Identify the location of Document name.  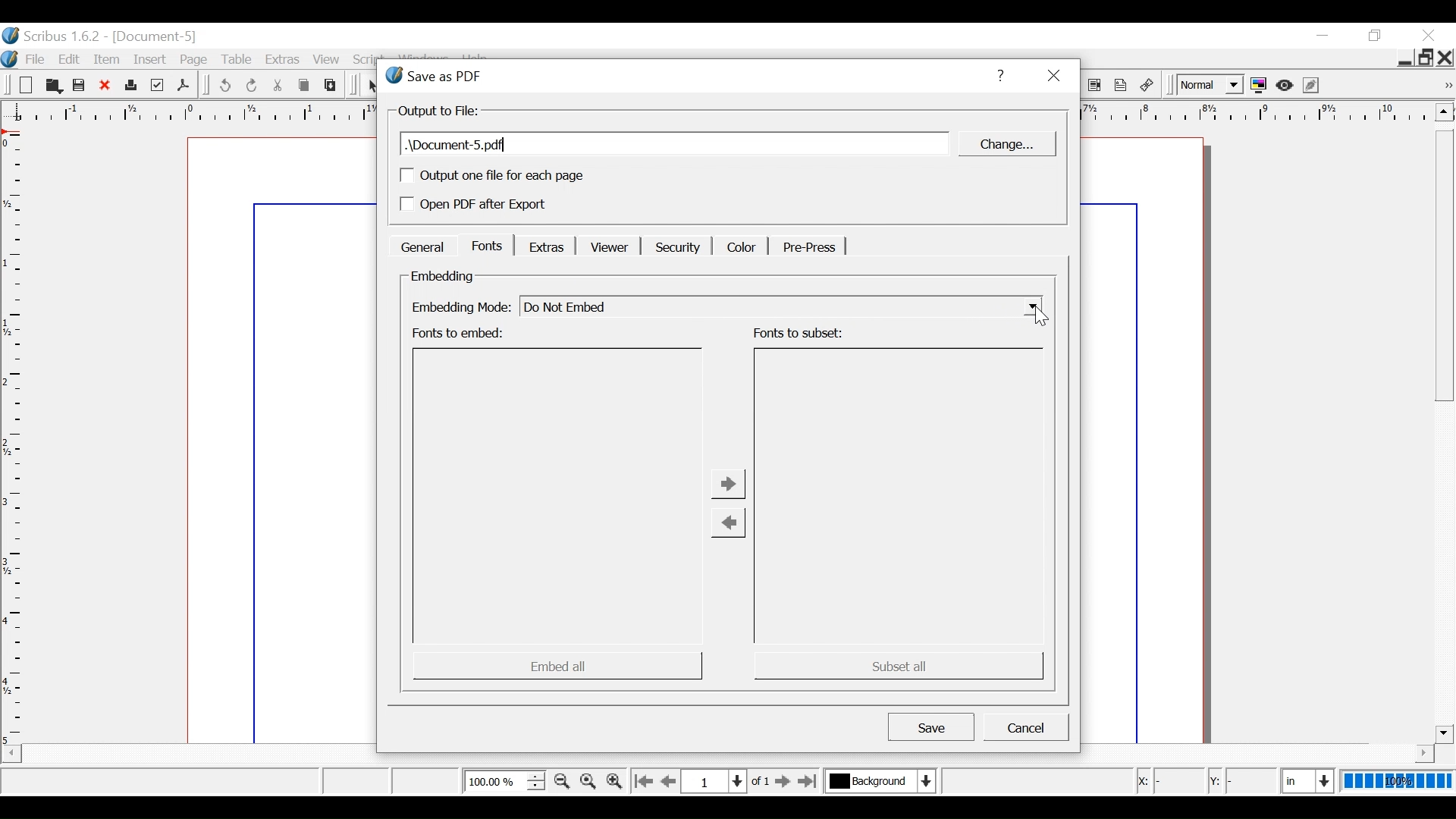
(675, 144).